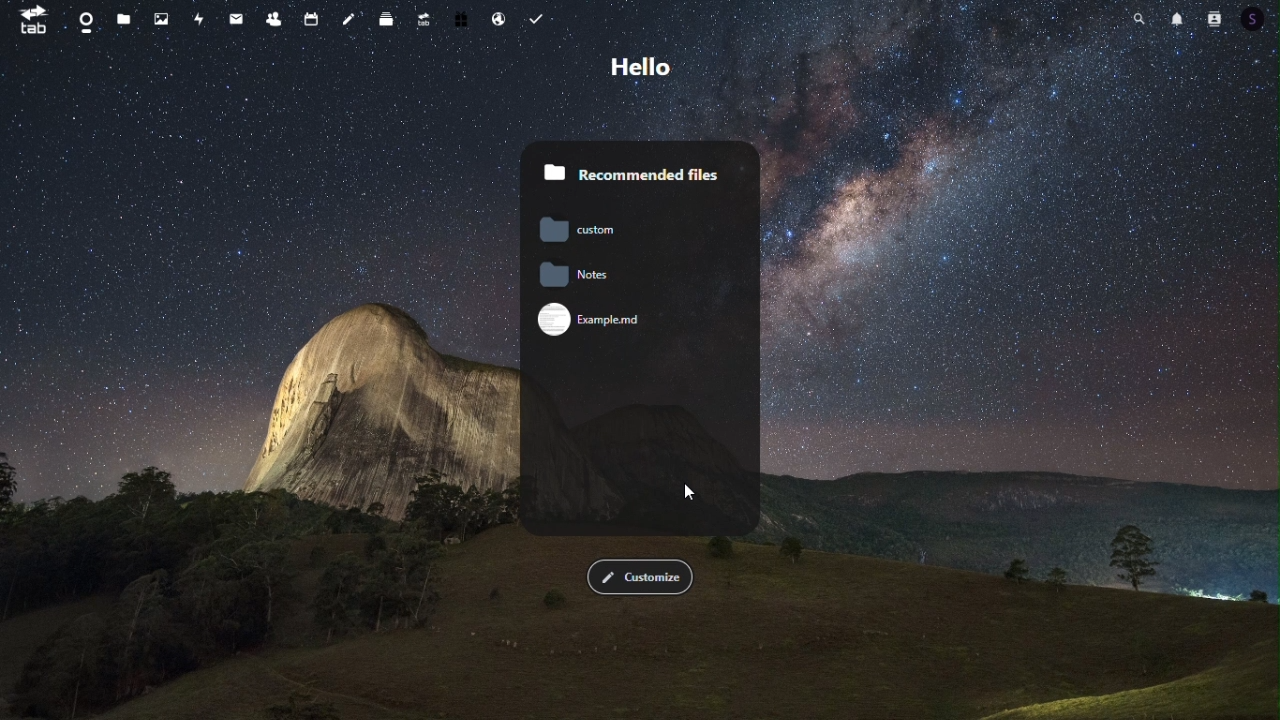  Describe the element at coordinates (386, 19) in the screenshot. I see `deck` at that location.